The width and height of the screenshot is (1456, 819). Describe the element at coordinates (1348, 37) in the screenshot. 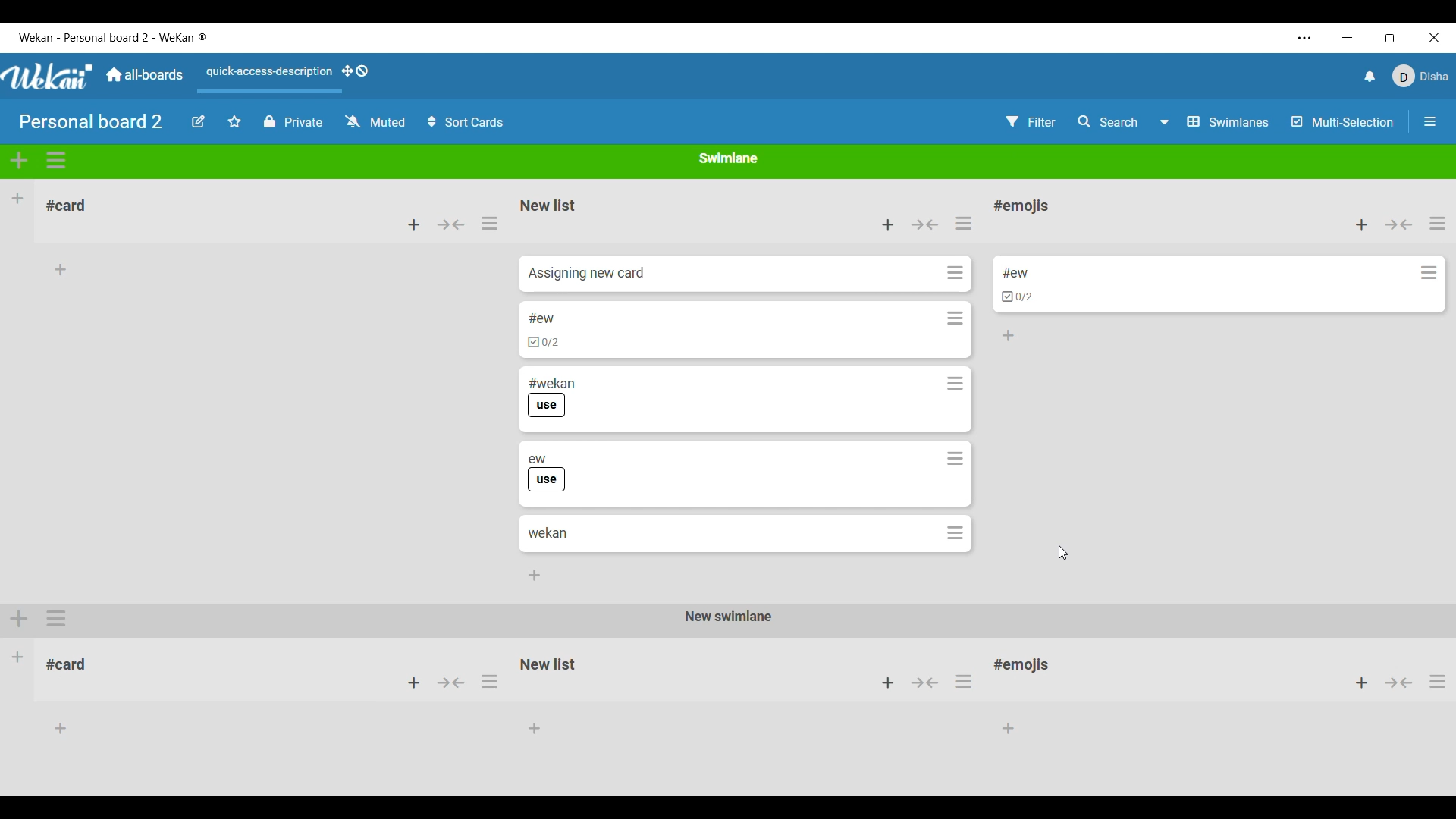

I see `Minimize` at that location.